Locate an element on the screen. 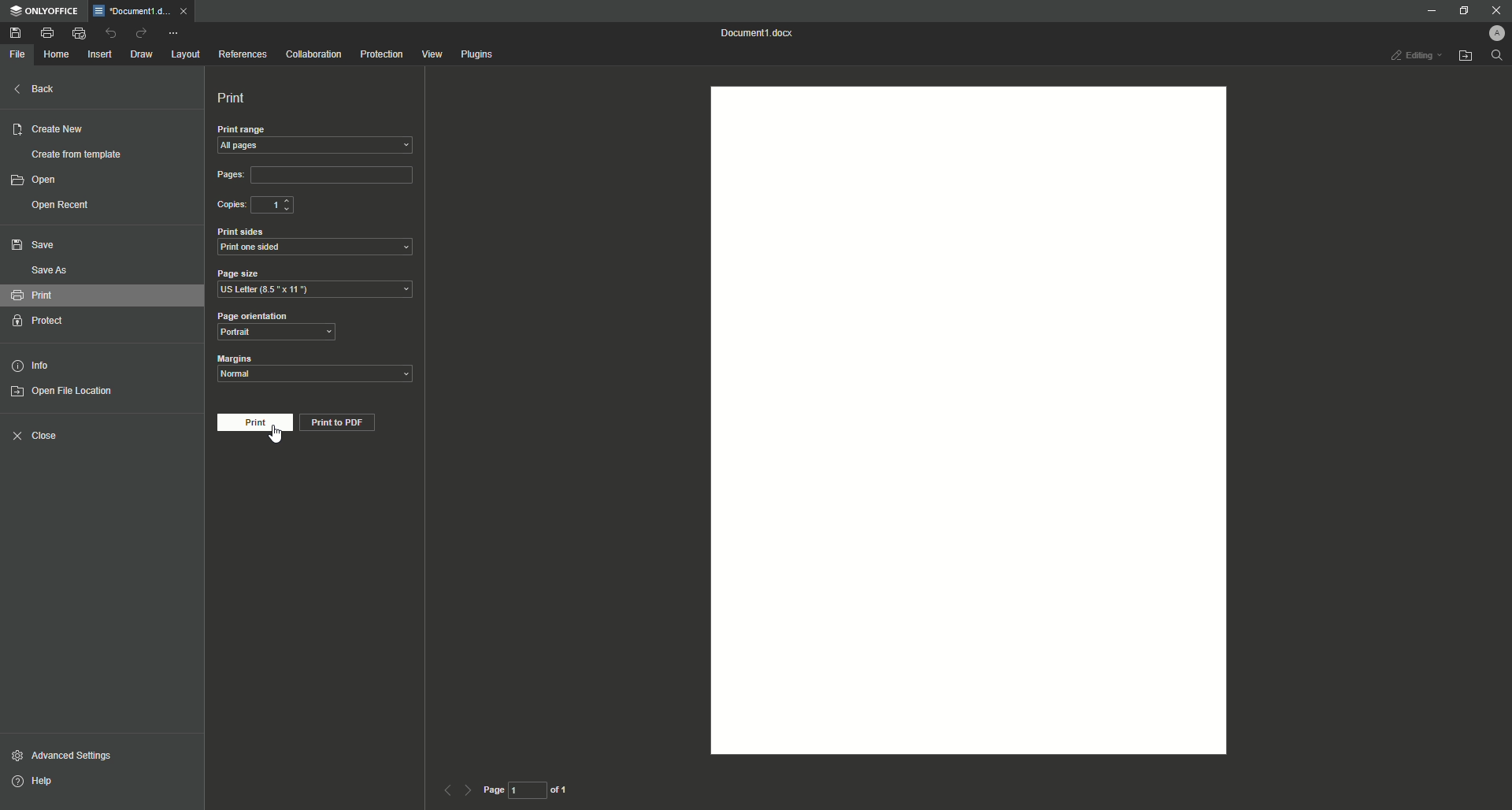   is located at coordinates (102, 53).